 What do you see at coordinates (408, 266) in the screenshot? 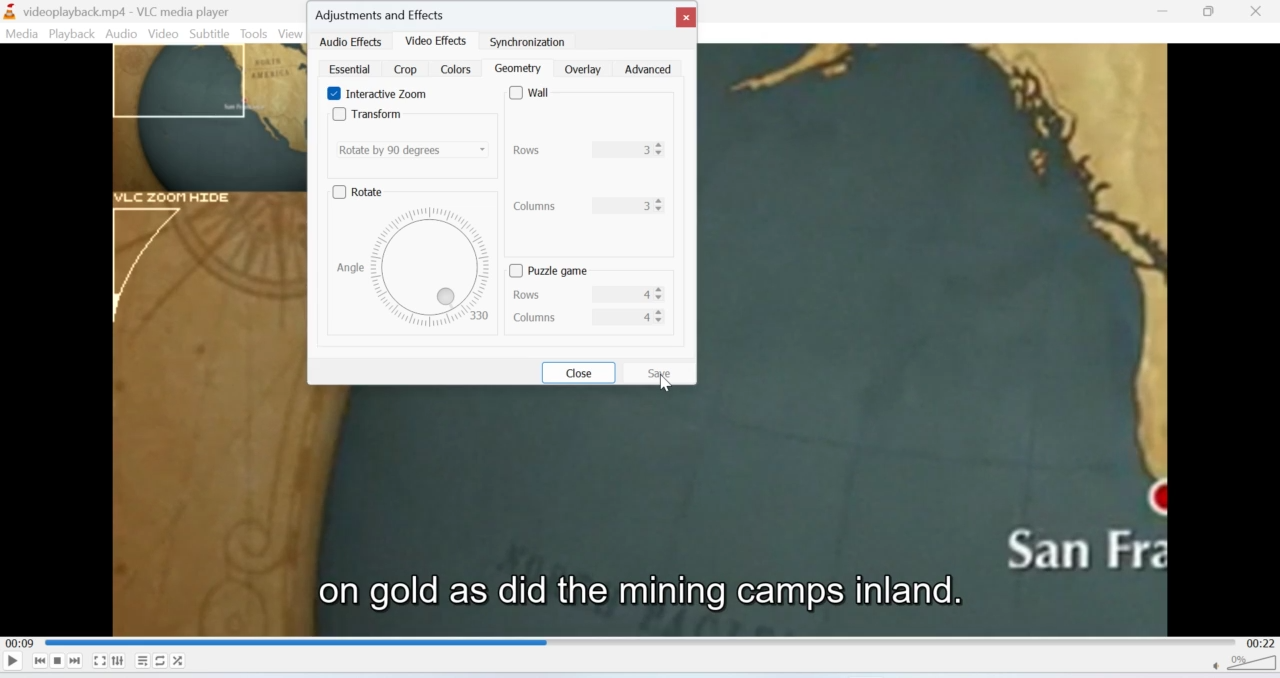
I see `angle   330` at bounding box center [408, 266].